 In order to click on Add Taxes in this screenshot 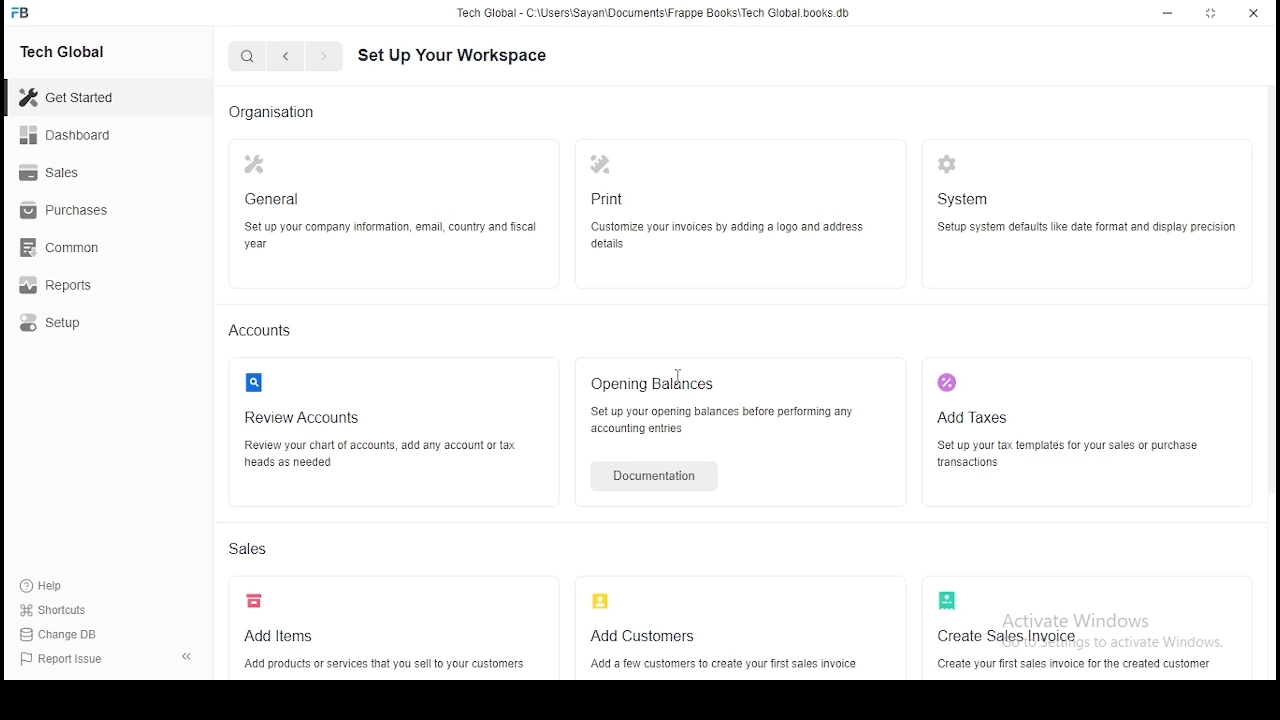, I will do `click(1080, 422)`.